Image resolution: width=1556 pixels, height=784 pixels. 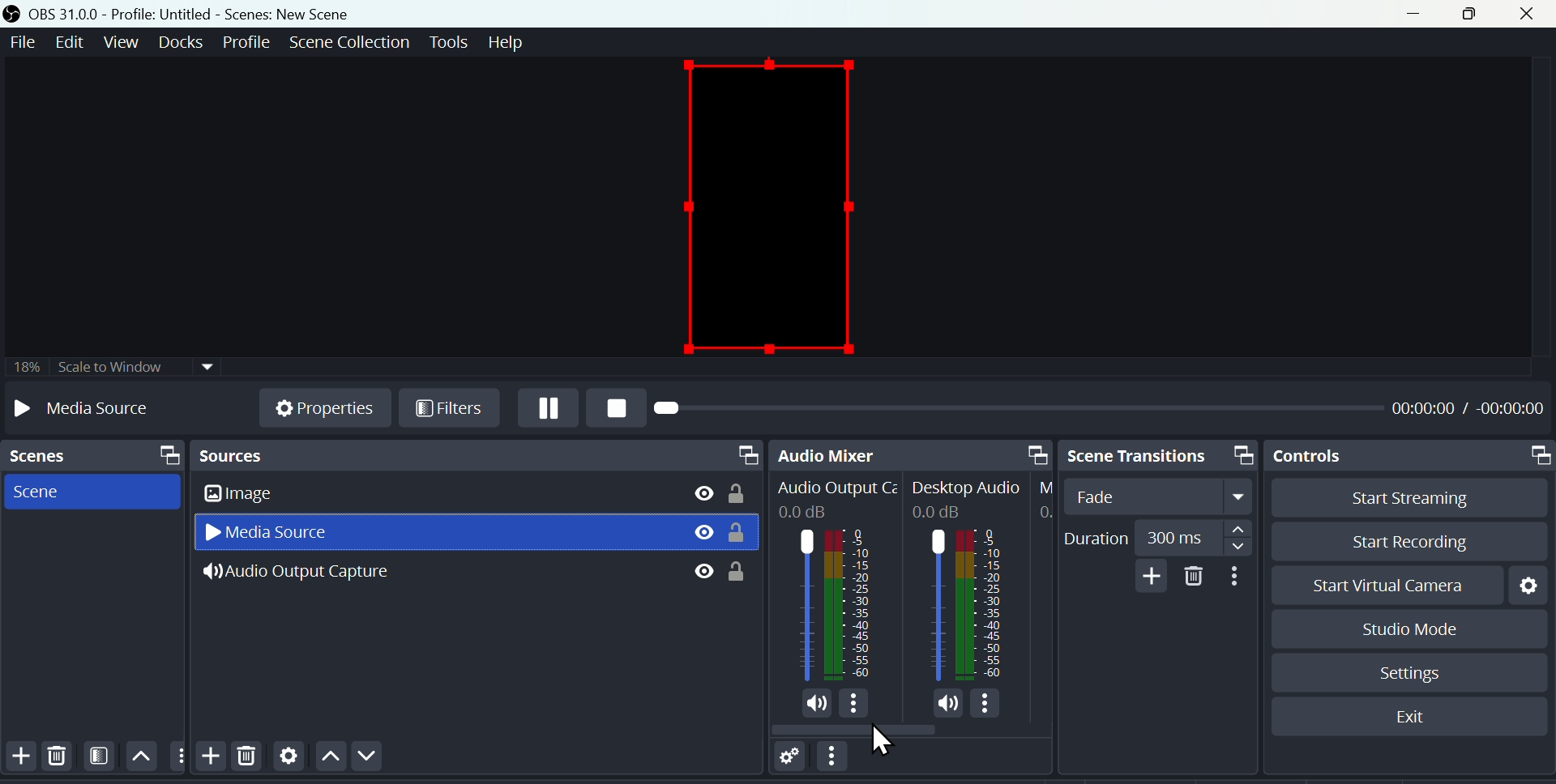 I want to click on Sound, so click(x=816, y=703).